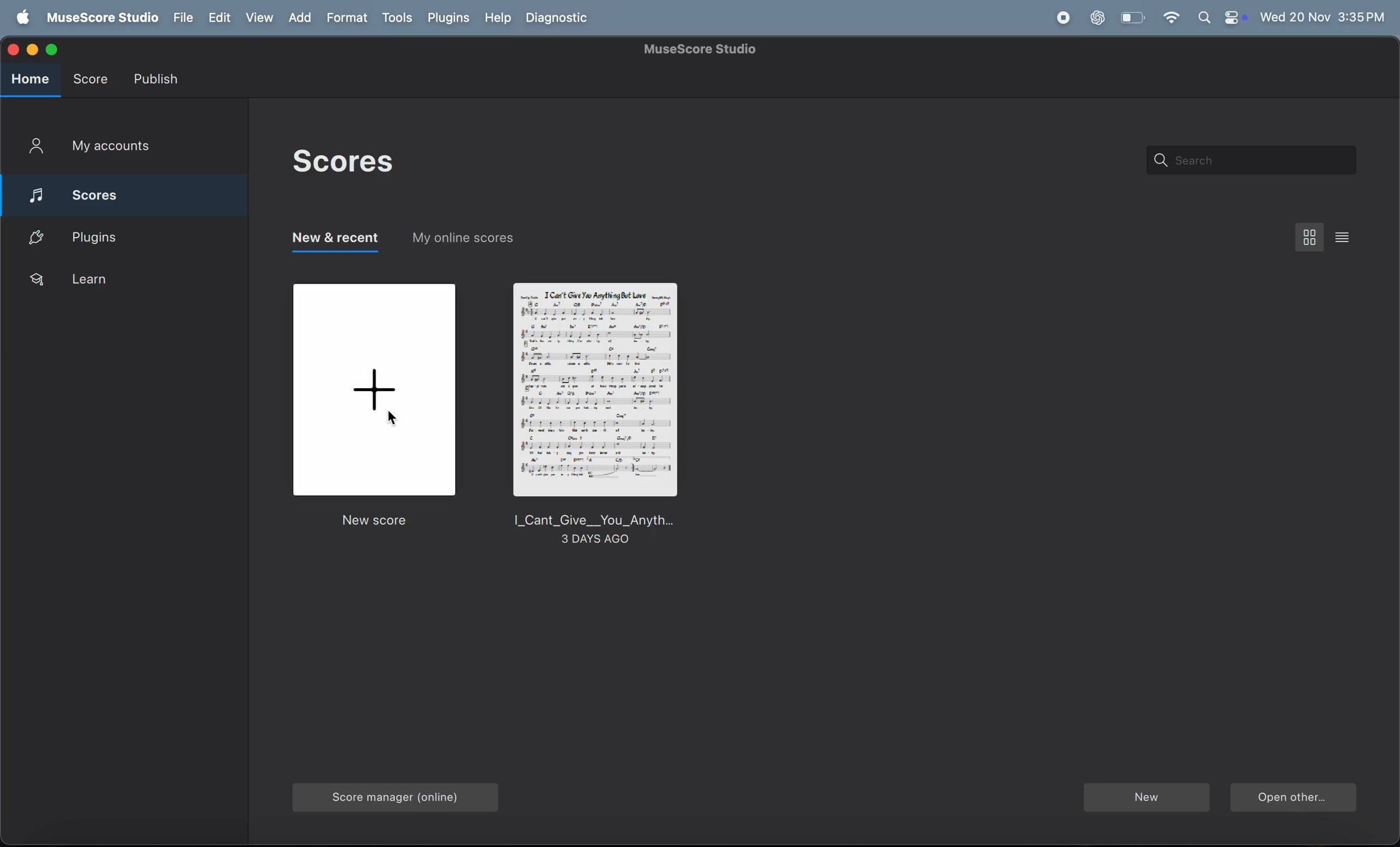 Image resolution: width=1400 pixels, height=847 pixels. Describe the element at coordinates (397, 19) in the screenshot. I see `tools` at that location.